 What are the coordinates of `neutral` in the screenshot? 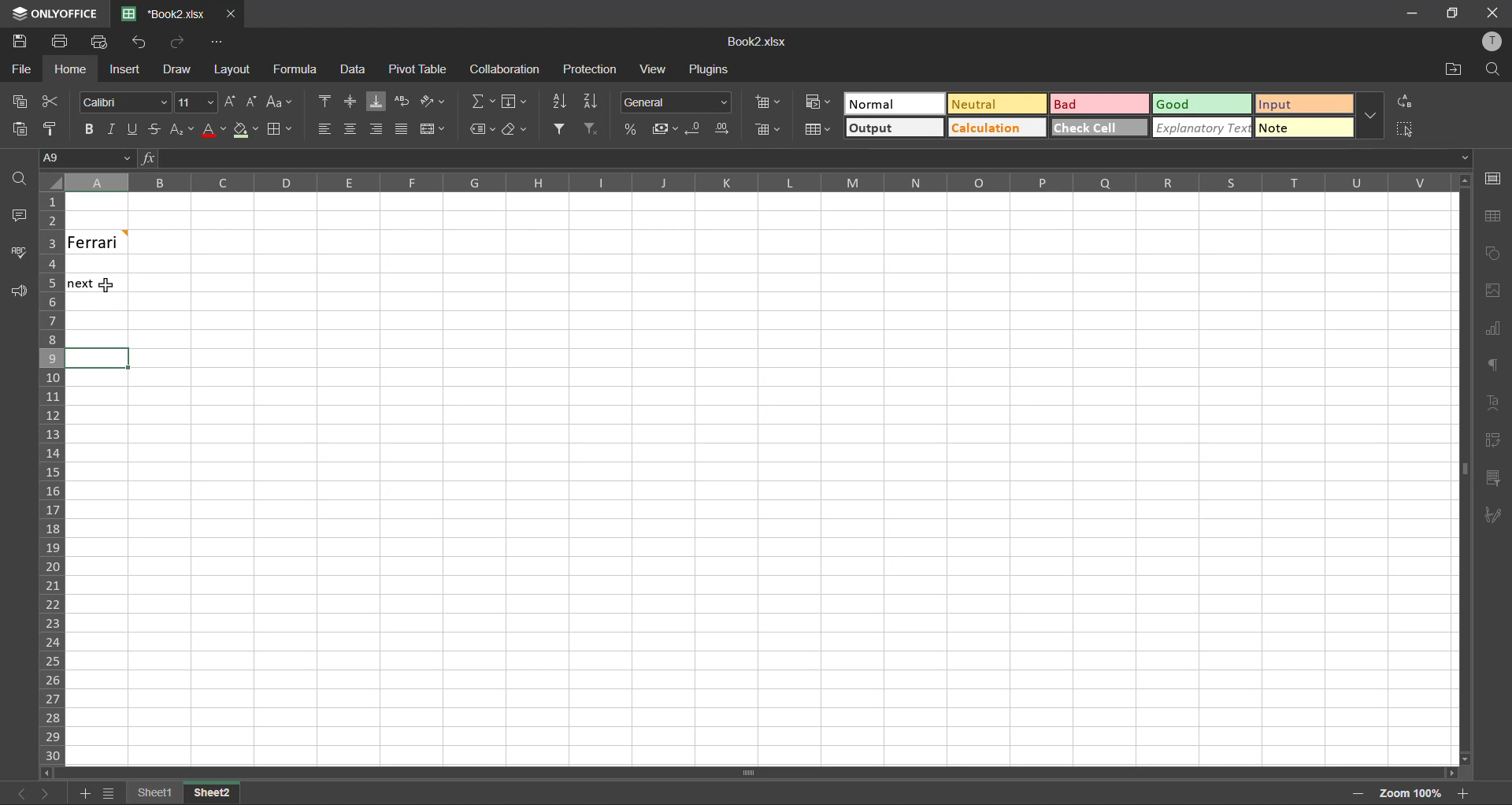 It's located at (994, 104).